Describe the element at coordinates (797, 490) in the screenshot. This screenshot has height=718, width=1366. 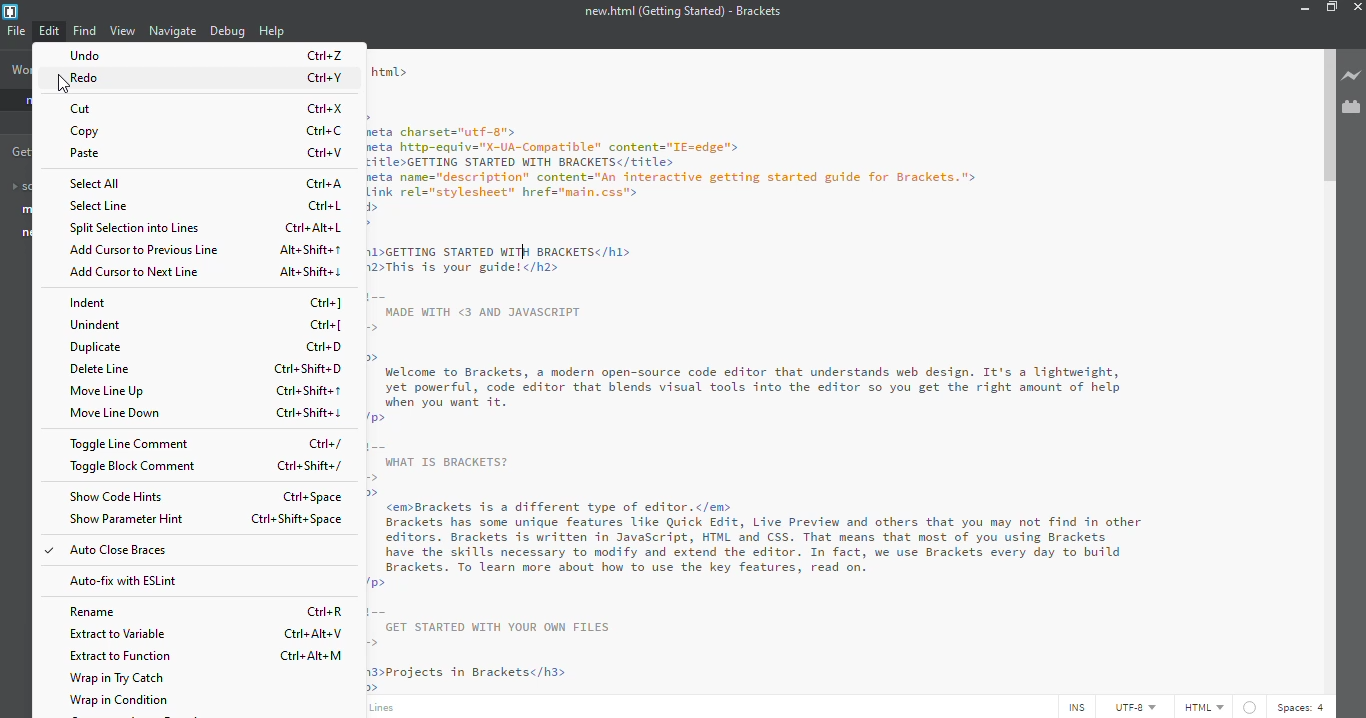
I see `MADE WITH <3 AND JAVASCRIPT

—

w®>
Welcome to Brackets, a modern open-source code editor that understands web design. It's a lightweight,
yet powerful, code editor that blends visual tools into the editor so you get the right amount of help
when you want it.

<I>
WHAT IS BRACKETS?

—

w®>
<emBrackets is a different type of editor.</em>
Brackets has some unique features like Quick Edit, Live Preview and others that you may not find in other
editors. Brackets is written in JavaScript, HTML and CSS. That means that most of you using Brackets
have the skills necessary to modify and extend the editor. In fact, we use Brackets every day to build
Brackets. To learn more about how to use the key features, read on.

<I>

ie
GET STARTED WITH YOUR OWN FILES

<h3>Projects in Brackets</h3>

pro` at that location.